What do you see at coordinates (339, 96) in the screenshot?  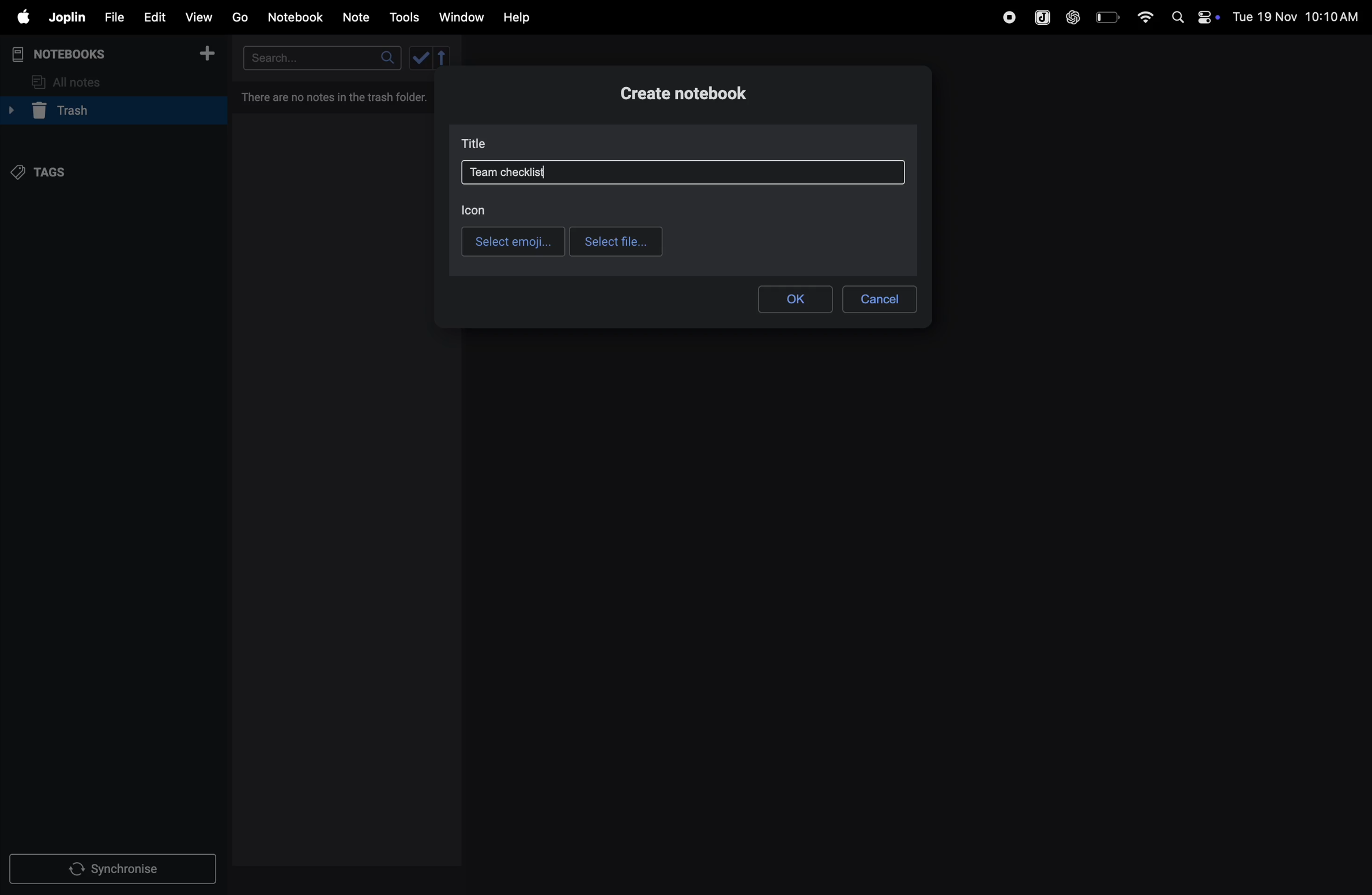 I see `there is no notes in trash folder` at bounding box center [339, 96].